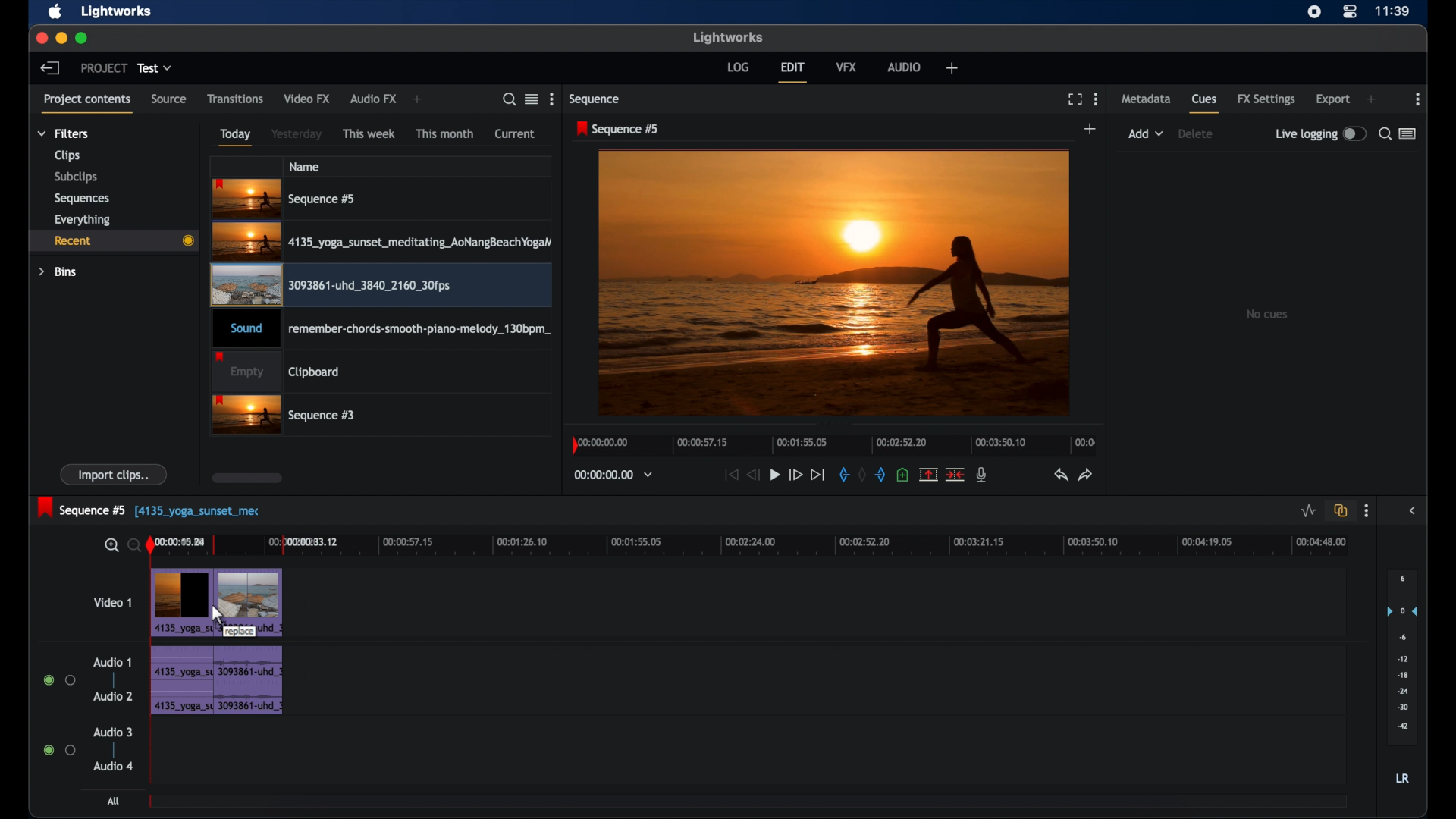 This screenshot has height=819, width=1456. I want to click on this month, so click(444, 133).